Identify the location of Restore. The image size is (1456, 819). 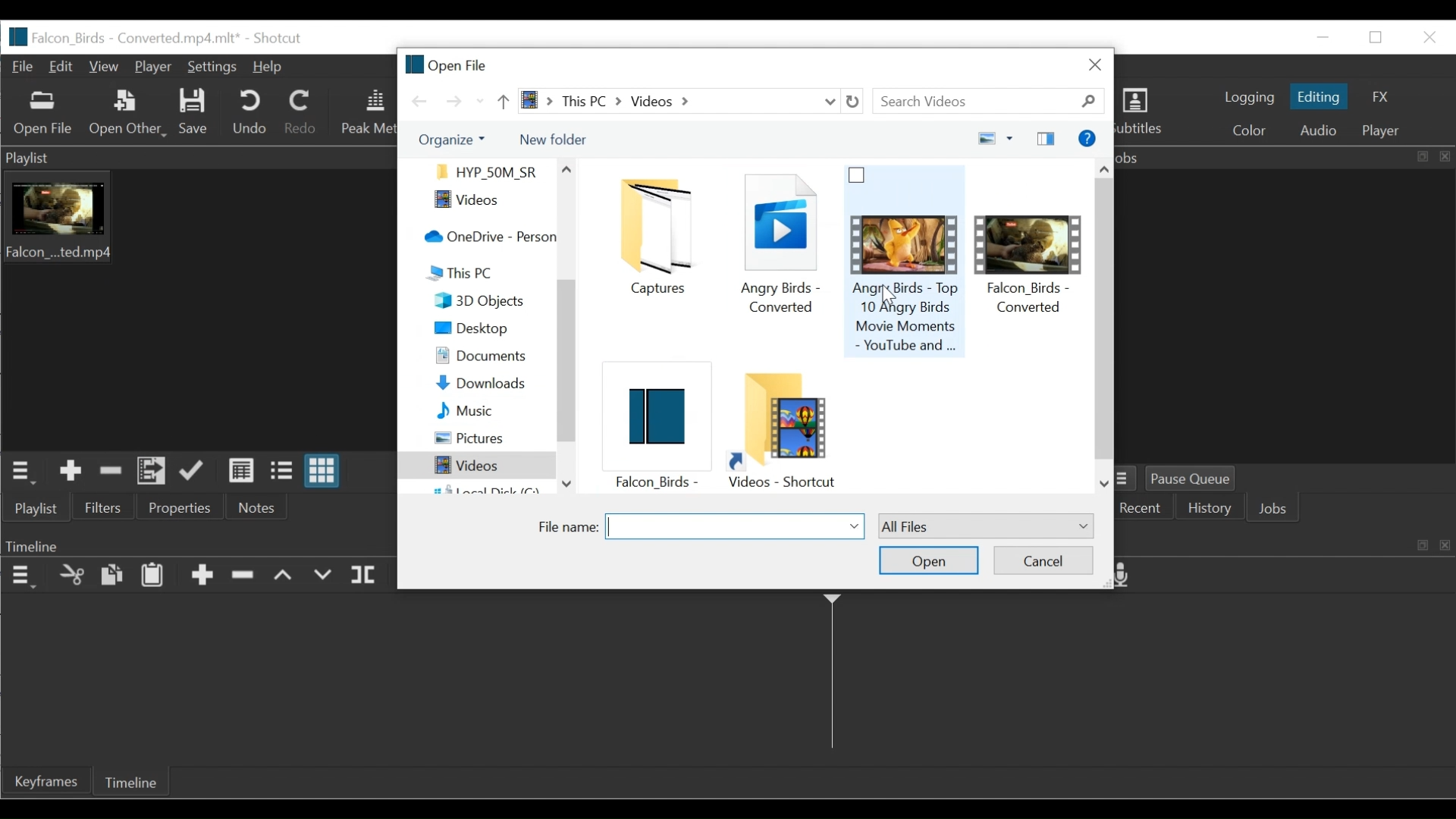
(1377, 38).